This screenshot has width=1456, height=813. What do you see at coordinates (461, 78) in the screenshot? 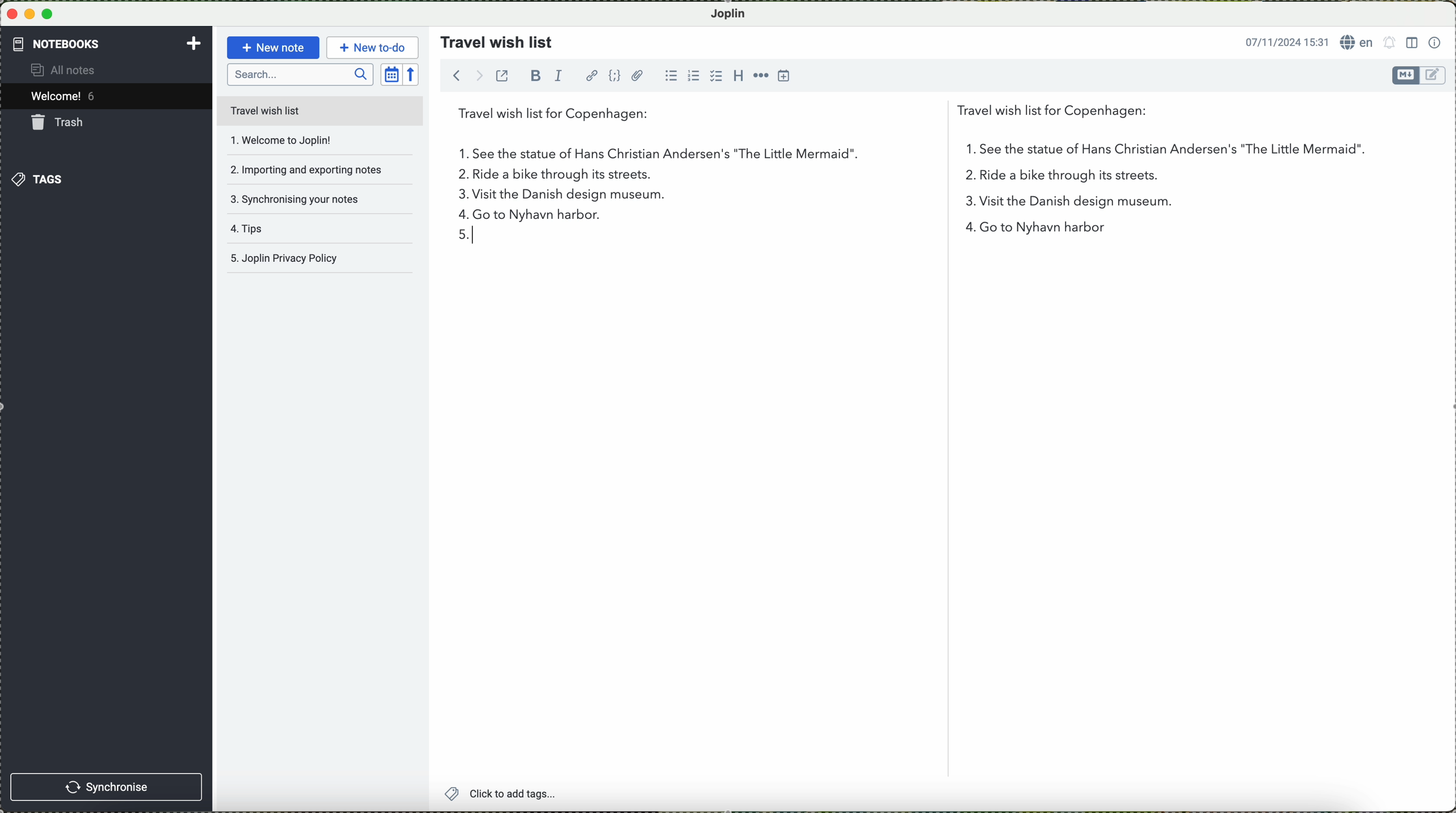
I see `navigate` at bounding box center [461, 78].